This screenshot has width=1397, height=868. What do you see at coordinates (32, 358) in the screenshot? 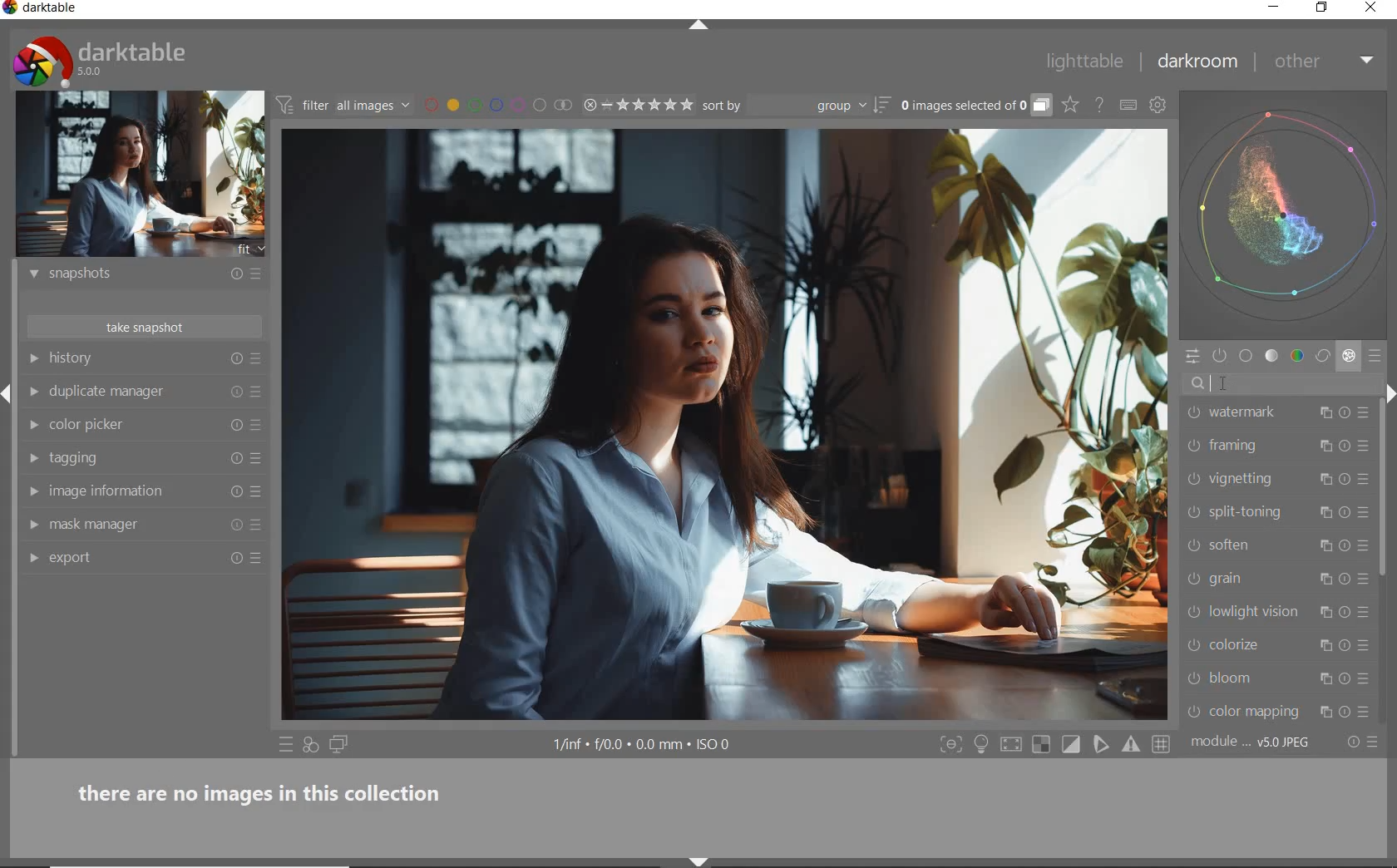
I see `show module` at bounding box center [32, 358].